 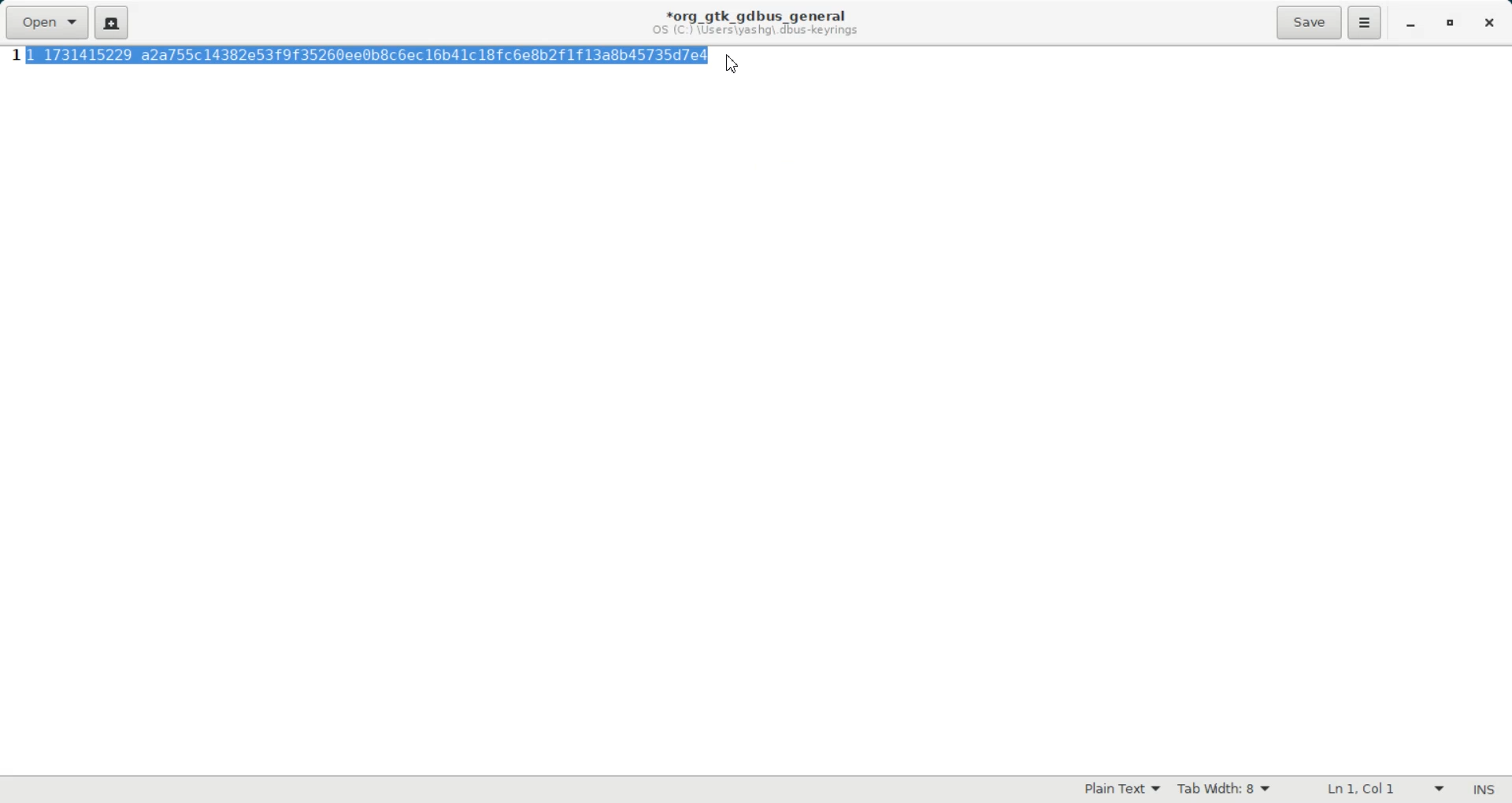 I want to click on Create a new document, so click(x=112, y=22).